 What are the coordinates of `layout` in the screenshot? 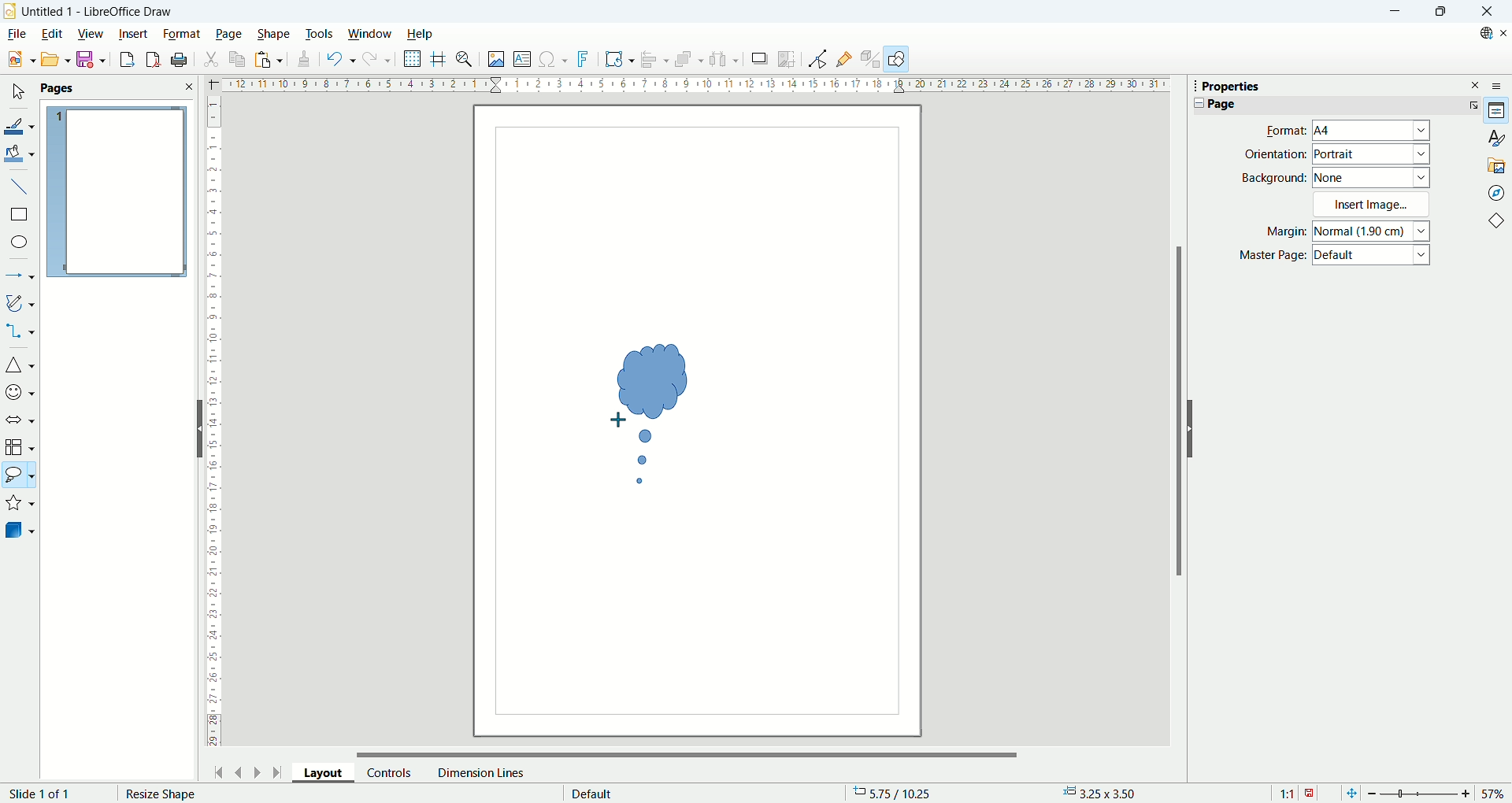 It's located at (329, 775).